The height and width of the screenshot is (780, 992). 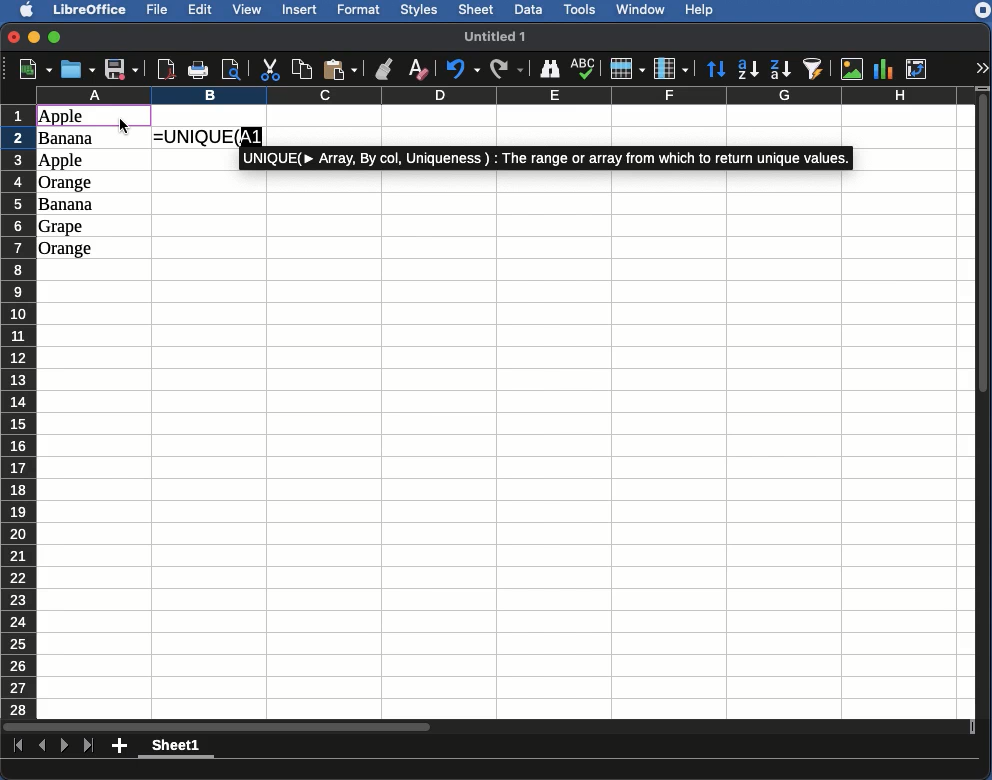 I want to click on Clear formatting, so click(x=420, y=68).